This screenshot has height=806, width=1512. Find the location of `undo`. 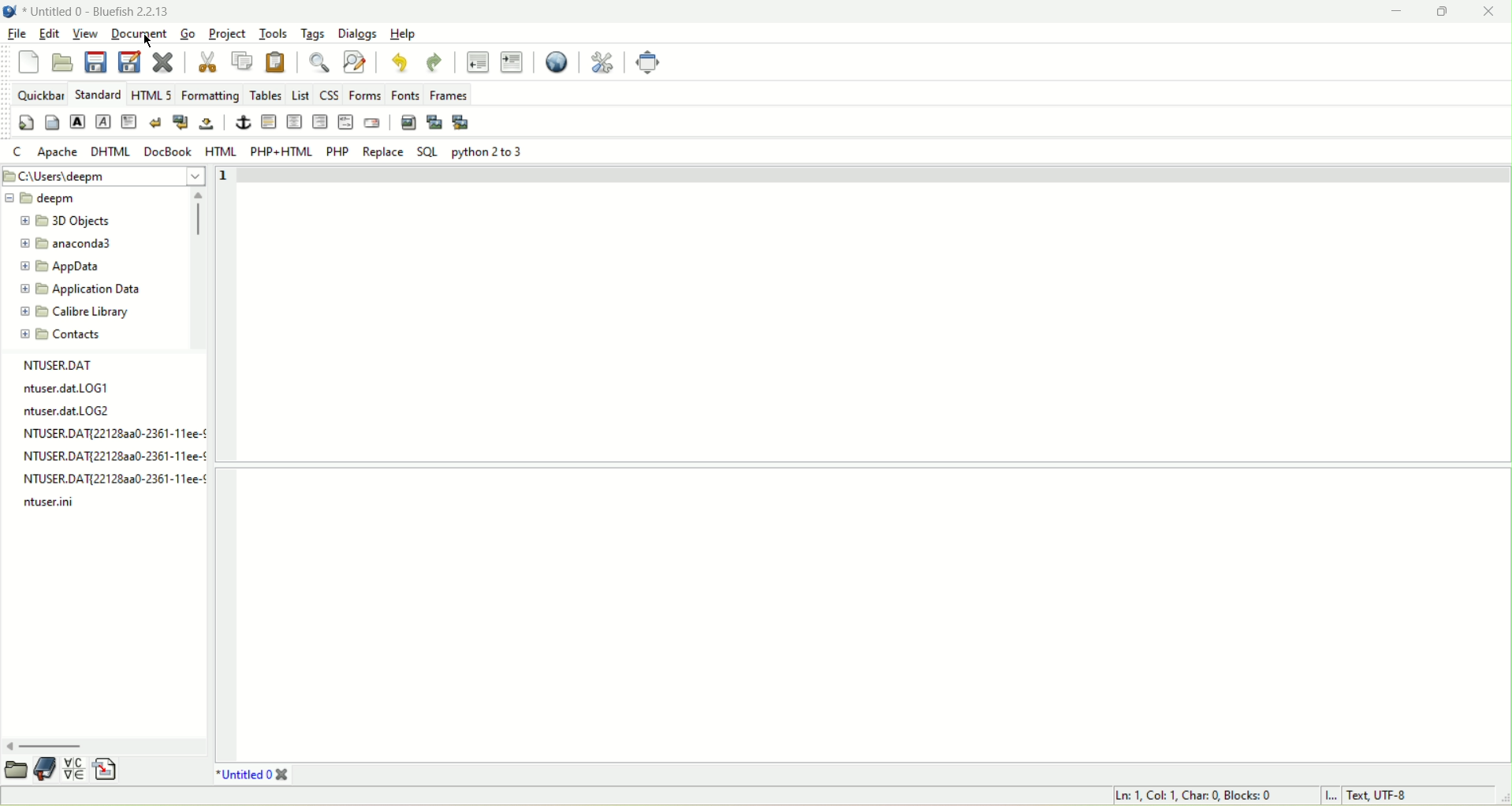

undo is located at coordinates (397, 63).